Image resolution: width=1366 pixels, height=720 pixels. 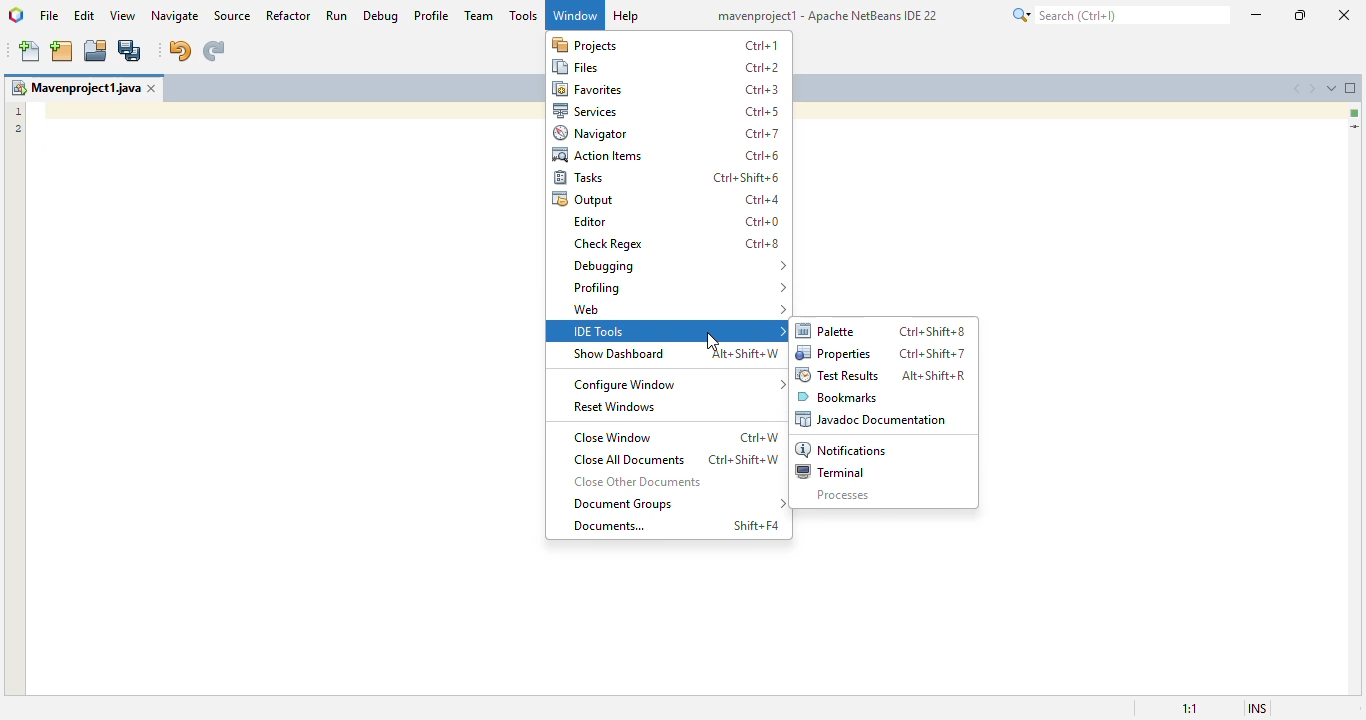 I want to click on navigate, so click(x=177, y=15).